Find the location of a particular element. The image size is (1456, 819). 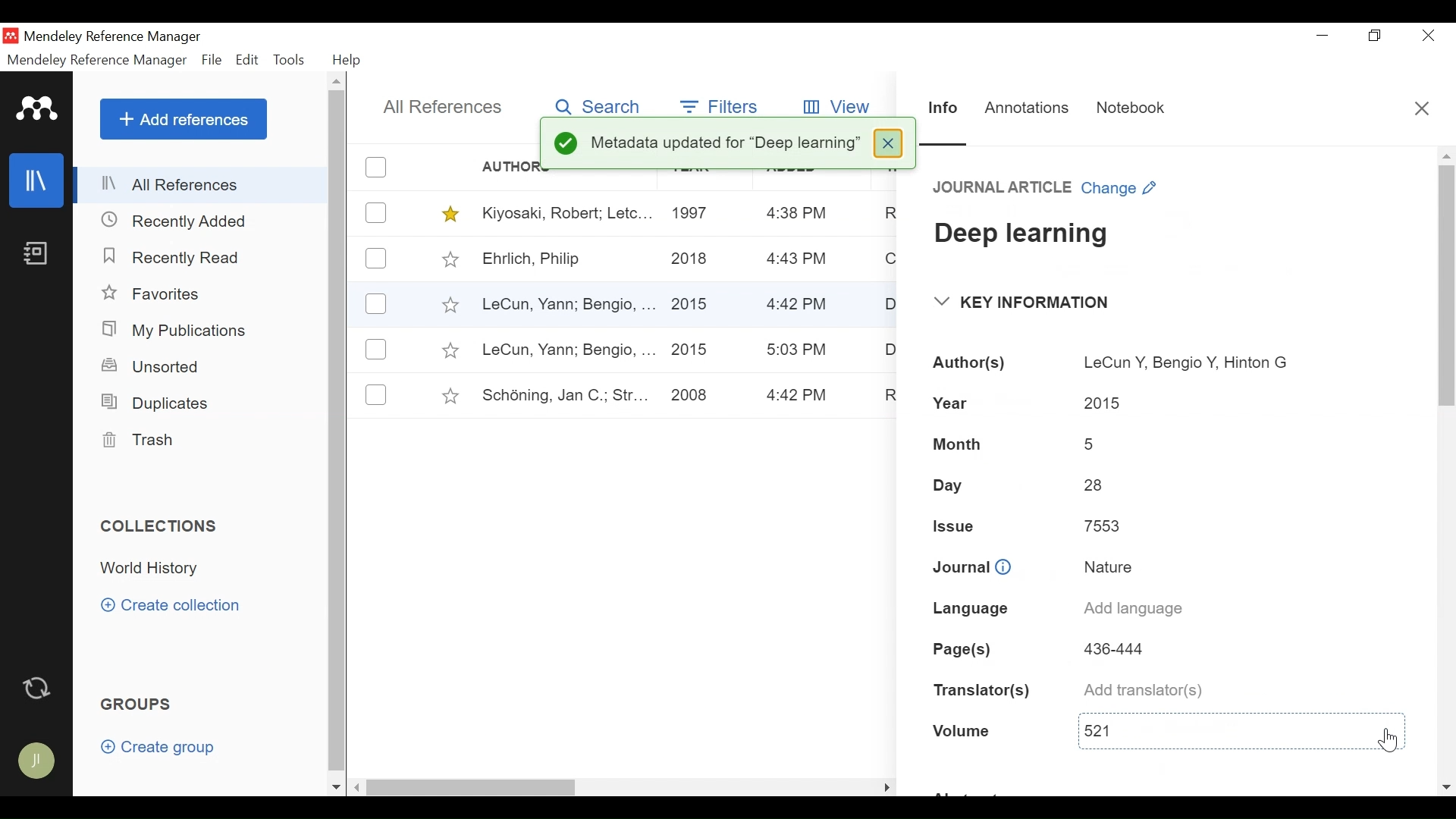

JOURNAL ARTICLE is located at coordinates (1003, 186).